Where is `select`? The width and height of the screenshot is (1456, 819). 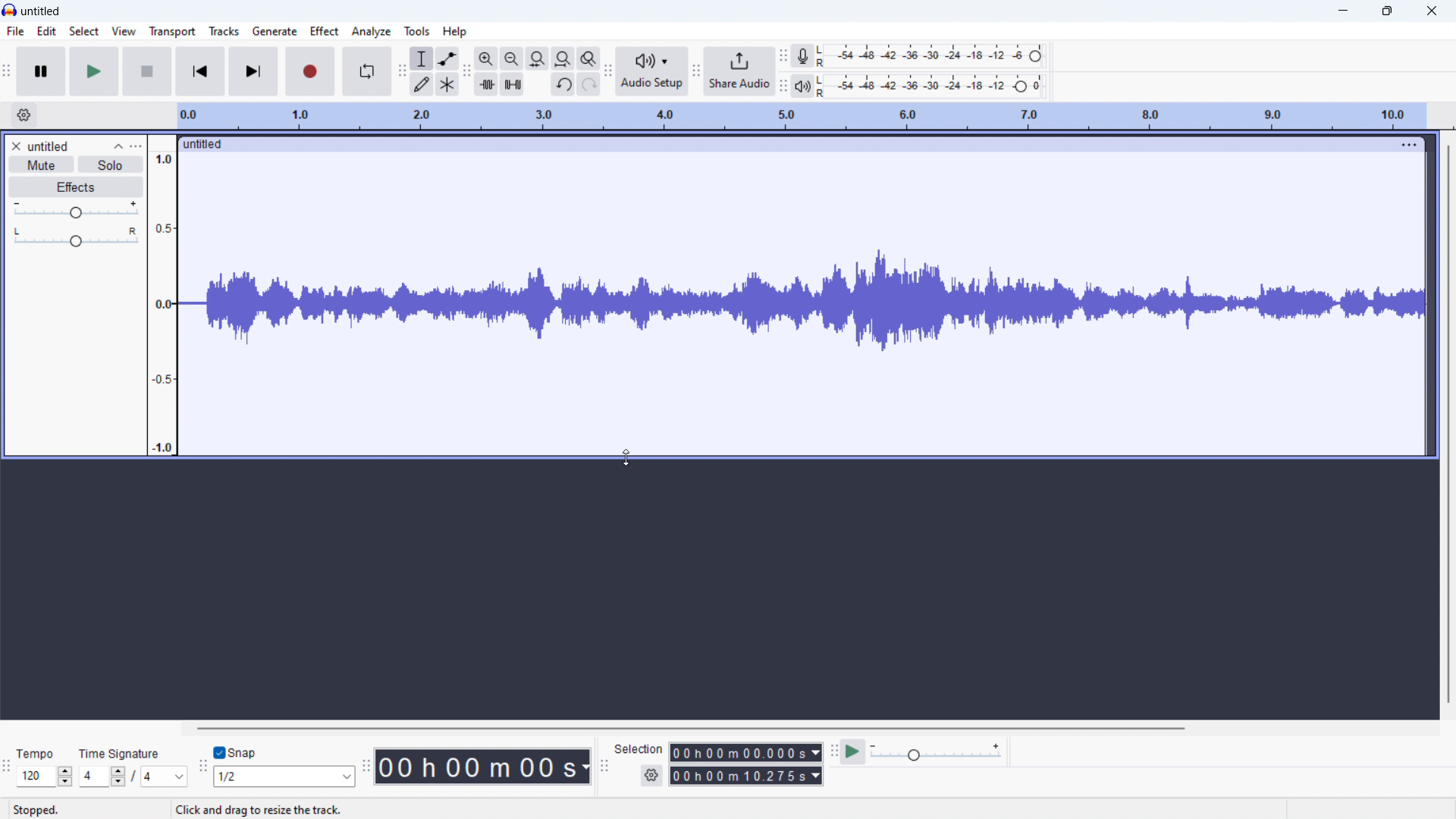 select is located at coordinates (83, 30).